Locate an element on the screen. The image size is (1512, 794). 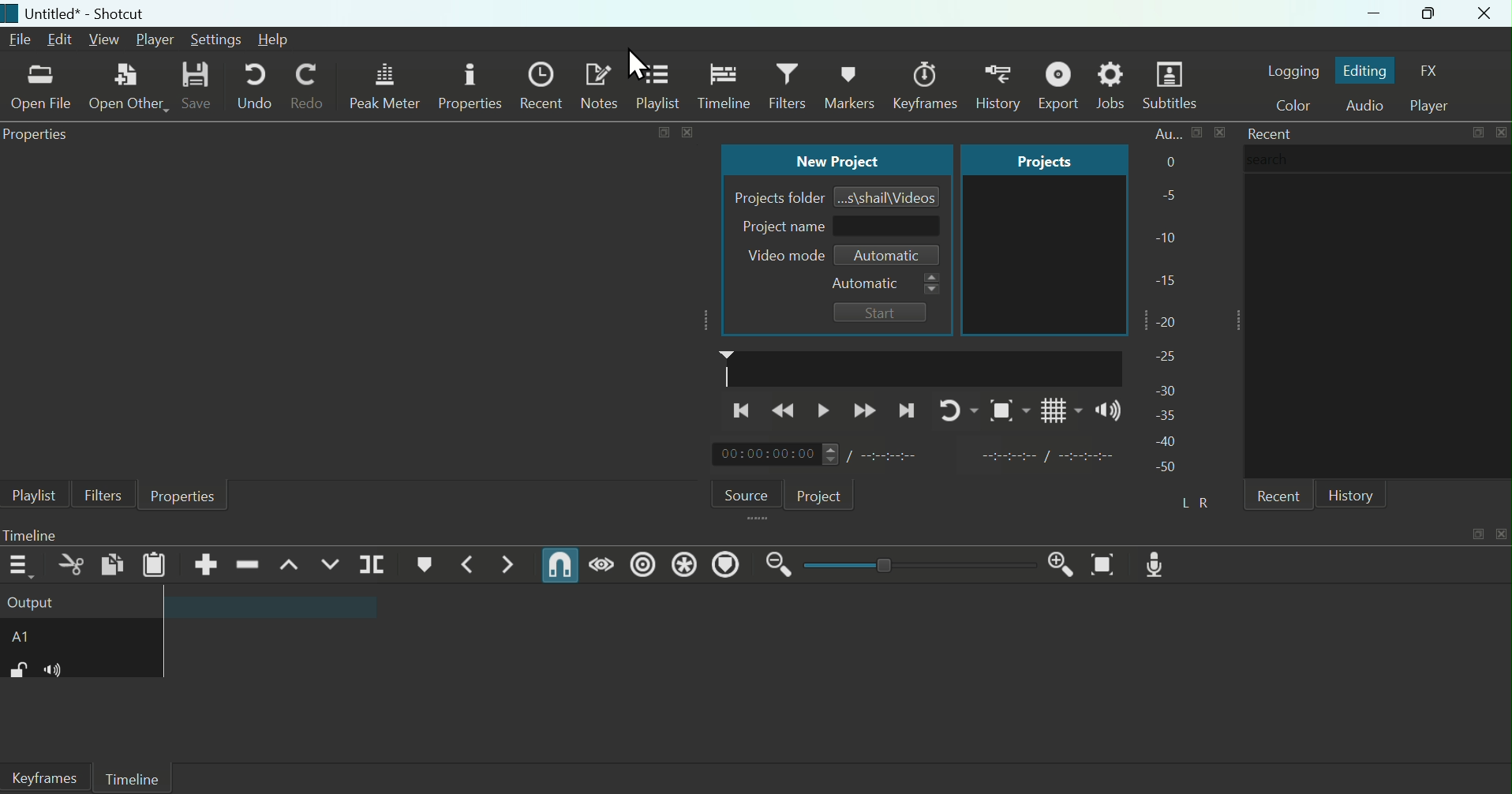
00:00:00:00 is located at coordinates (775, 455).